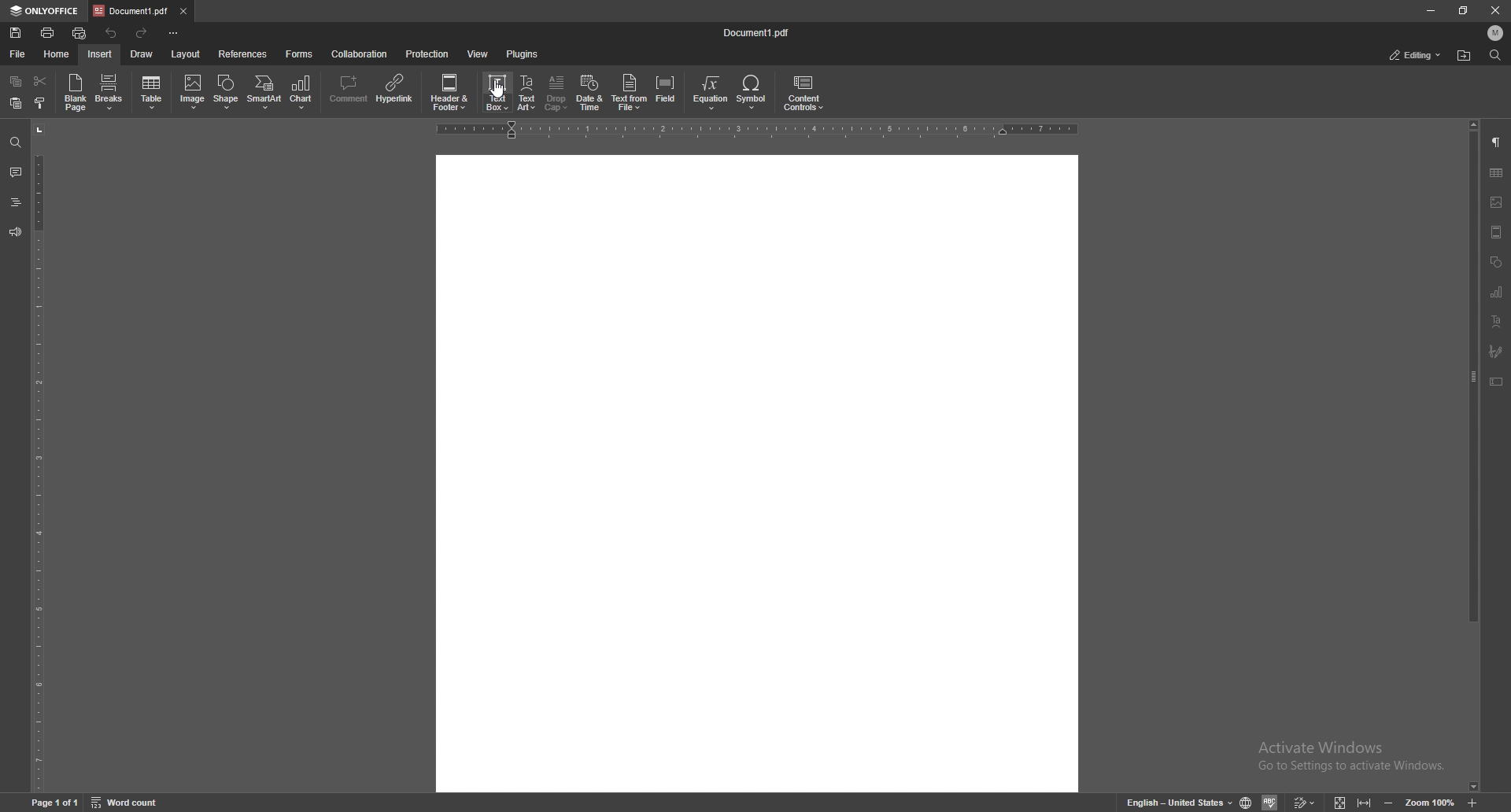 This screenshot has width=1511, height=812. I want to click on plugins, so click(523, 54).